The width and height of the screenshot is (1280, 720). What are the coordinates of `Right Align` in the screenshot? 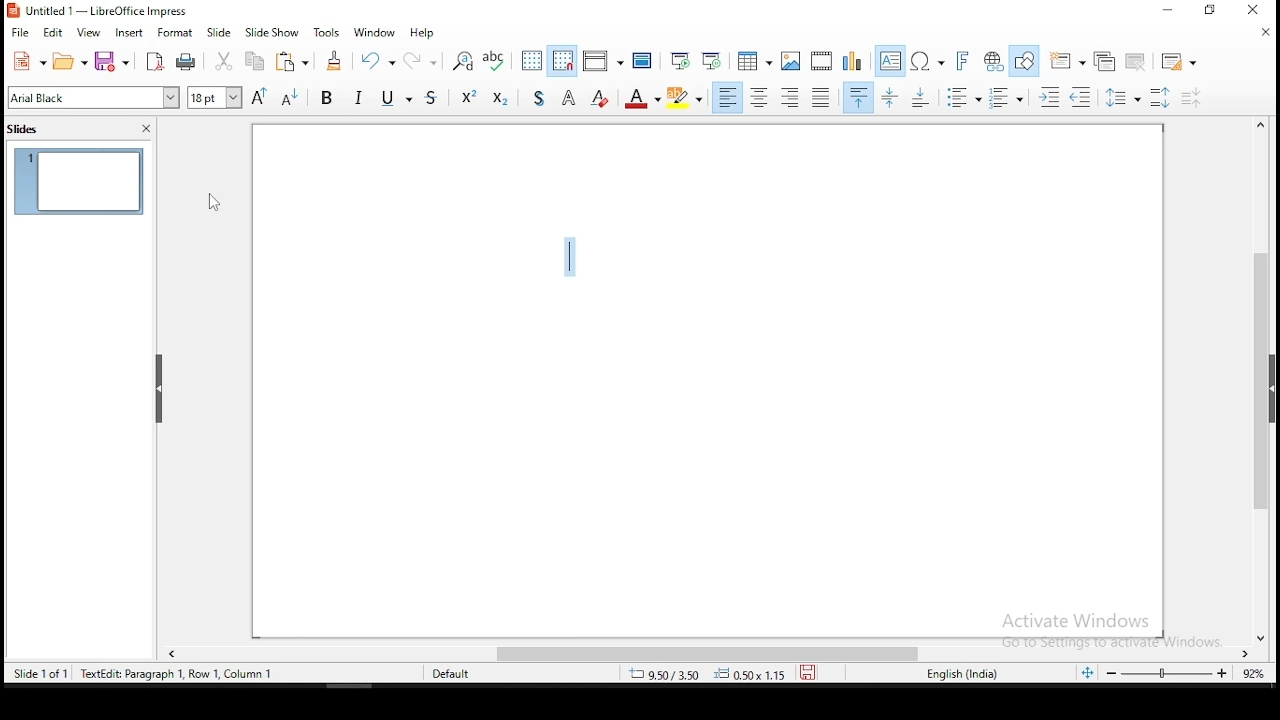 It's located at (791, 97).